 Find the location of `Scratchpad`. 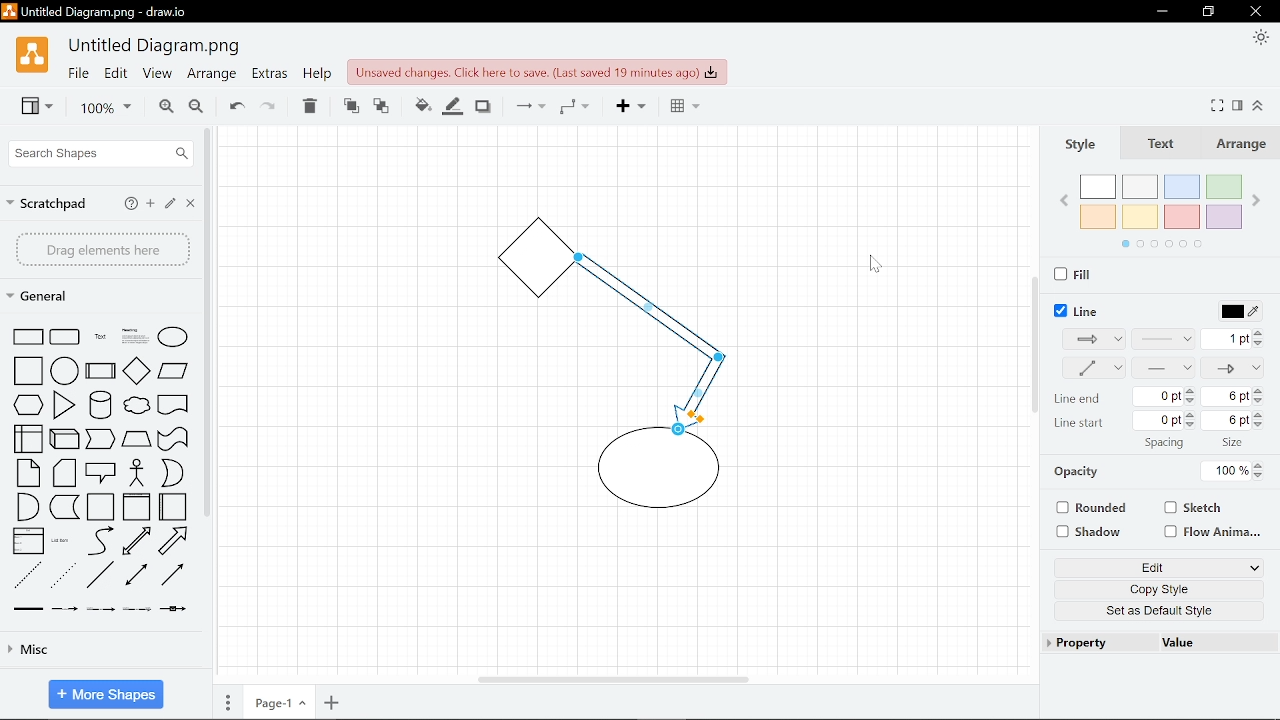

Scratchpad is located at coordinates (49, 201).